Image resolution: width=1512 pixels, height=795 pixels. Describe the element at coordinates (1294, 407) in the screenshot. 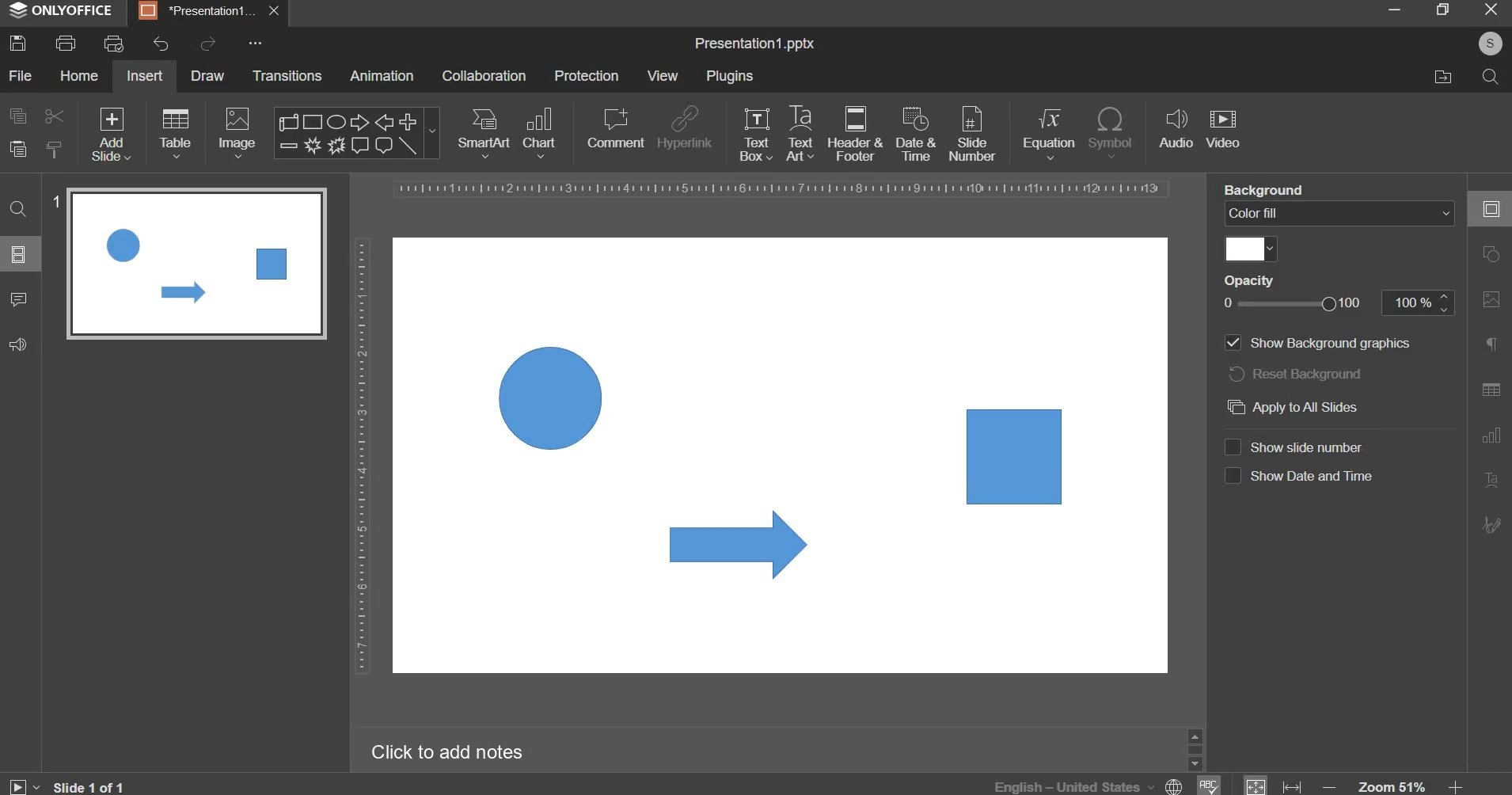

I see `apply to all slides` at that location.